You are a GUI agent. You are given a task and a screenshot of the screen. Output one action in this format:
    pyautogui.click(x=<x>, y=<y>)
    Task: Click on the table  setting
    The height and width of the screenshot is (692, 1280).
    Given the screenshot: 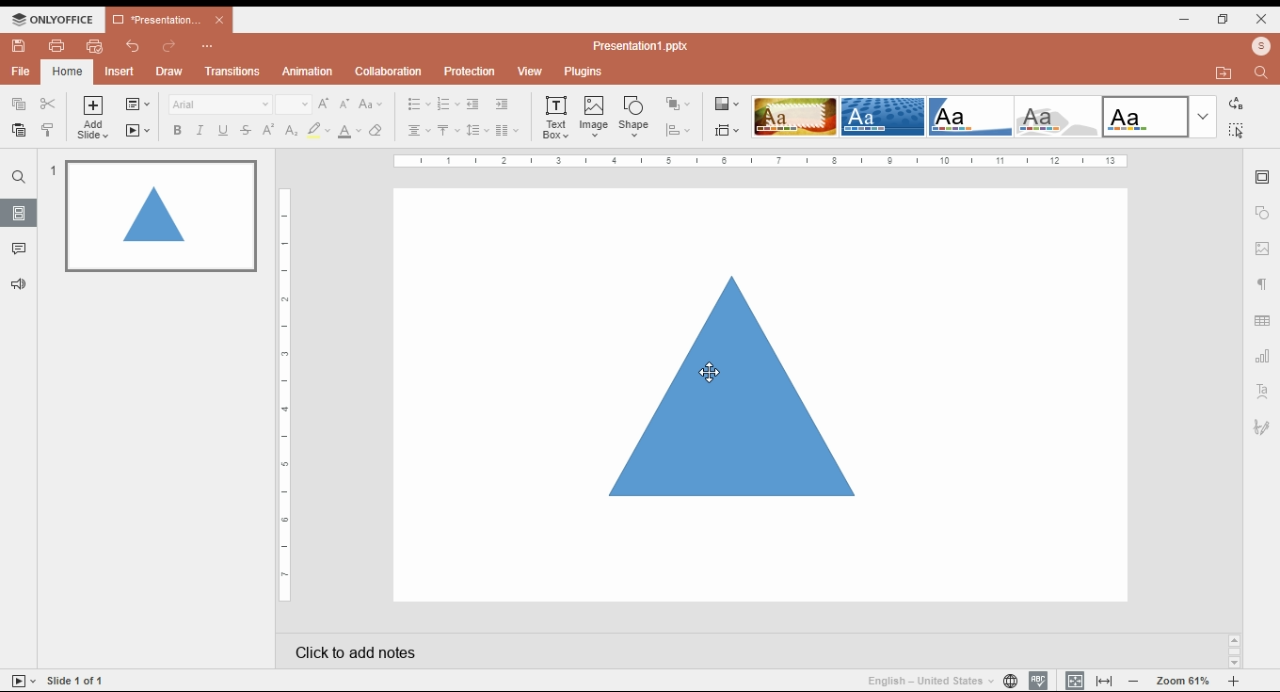 What is the action you would take?
    pyautogui.click(x=1260, y=319)
    